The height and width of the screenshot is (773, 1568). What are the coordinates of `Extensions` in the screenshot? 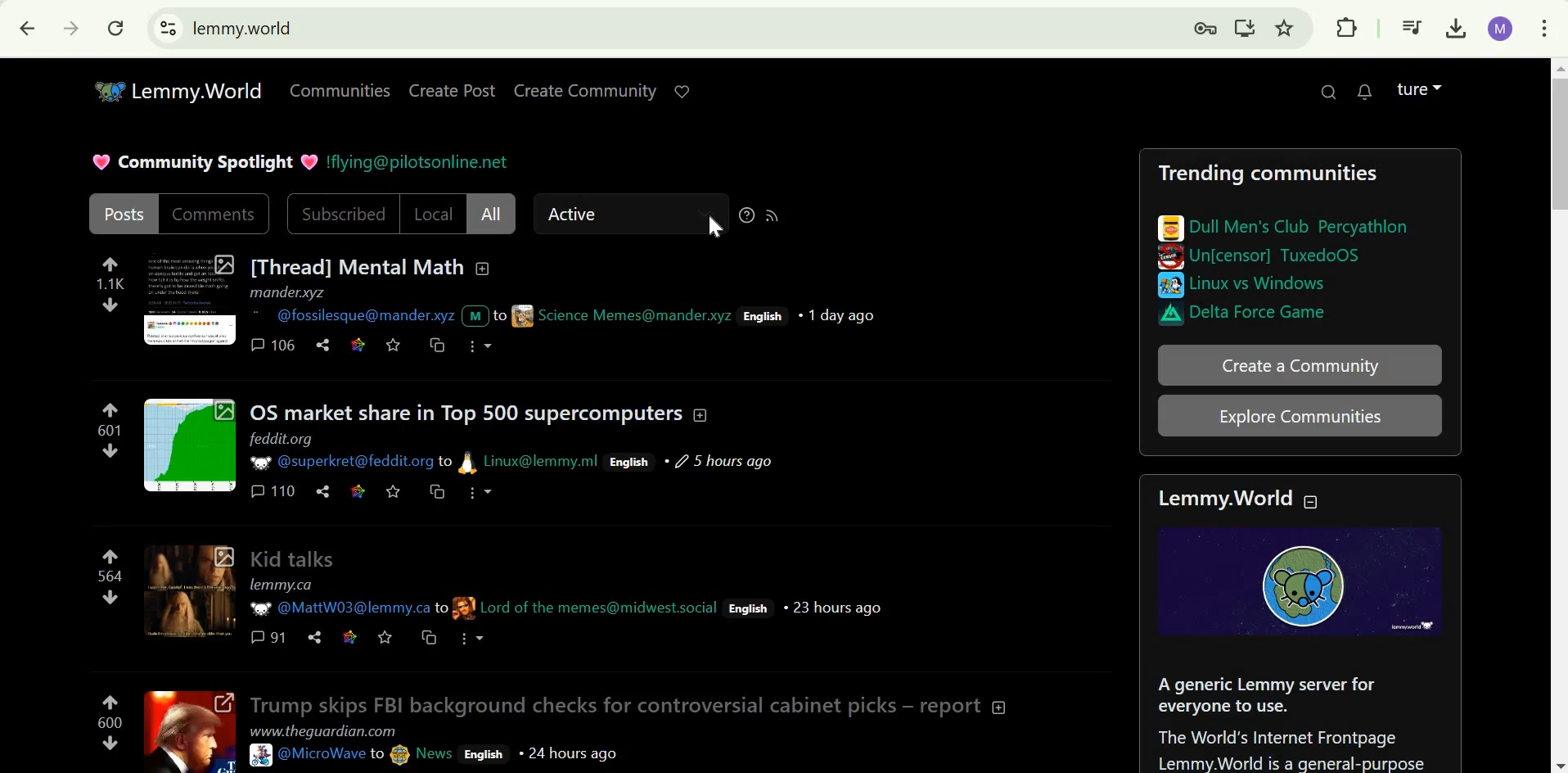 It's located at (1350, 26).